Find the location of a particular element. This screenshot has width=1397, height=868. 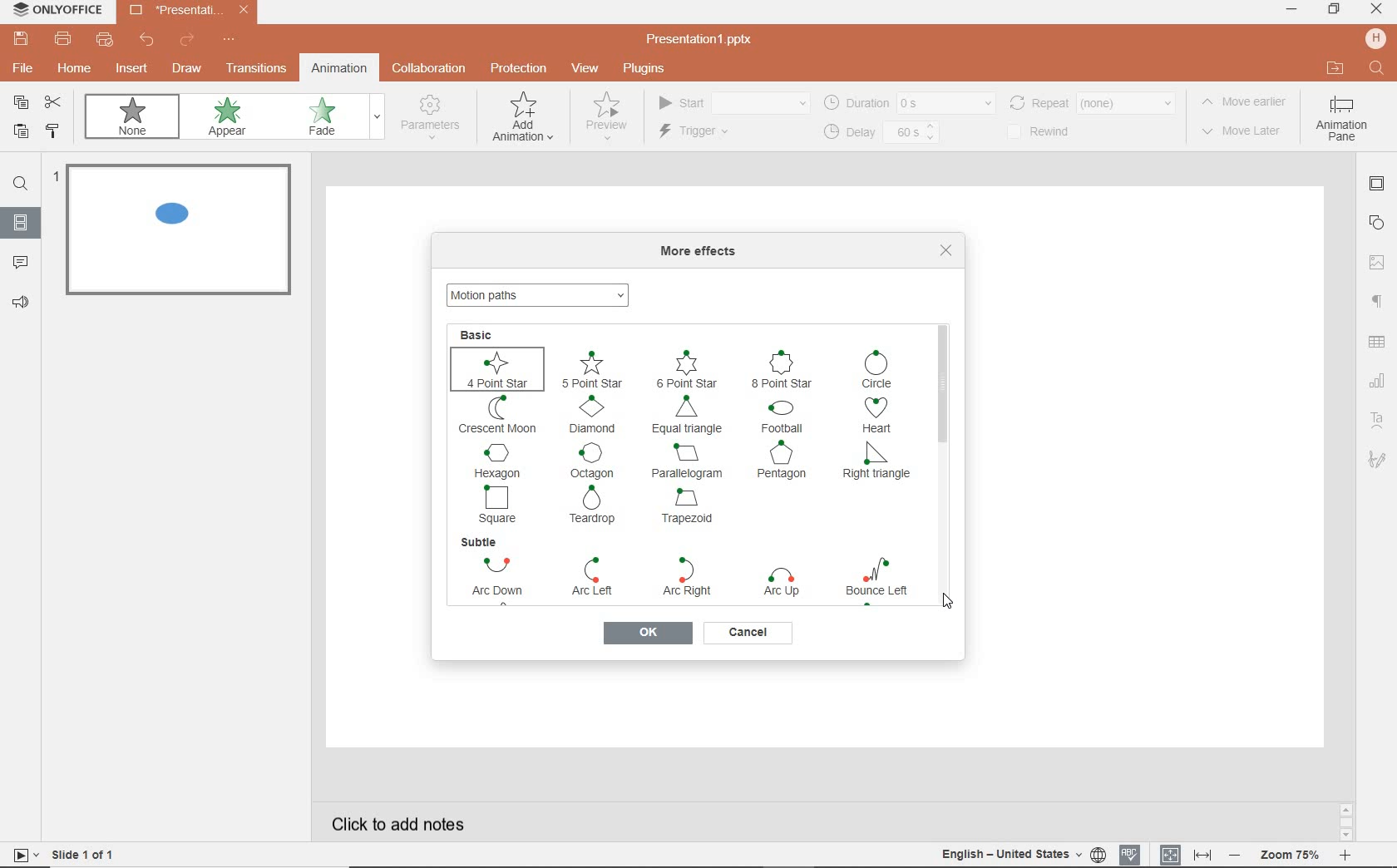

MINIMIZE is located at coordinates (1291, 9).